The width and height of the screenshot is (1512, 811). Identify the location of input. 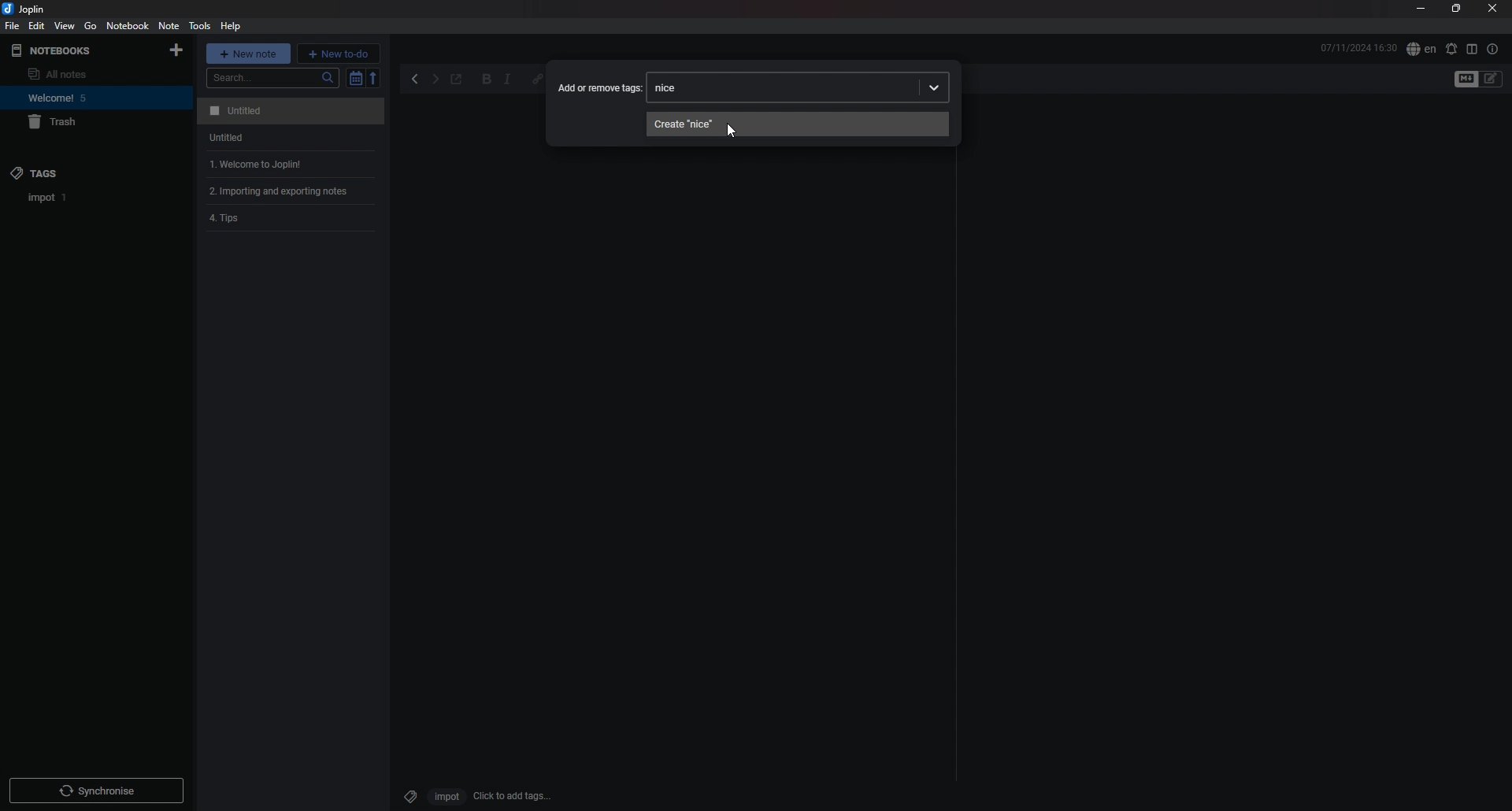
(673, 87).